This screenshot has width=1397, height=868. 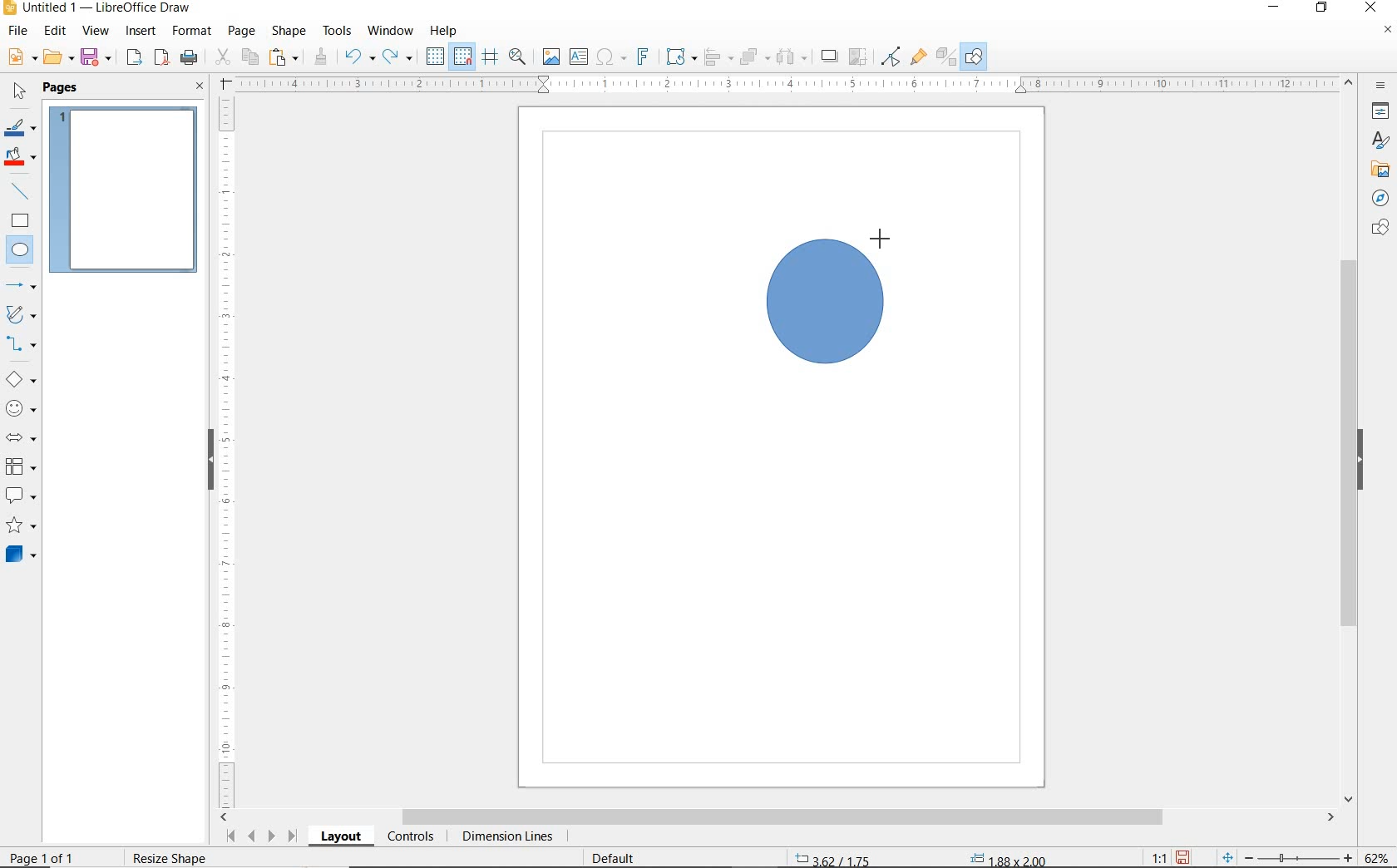 I want to click on PROPERTIES, so click(x=1383, y=114).